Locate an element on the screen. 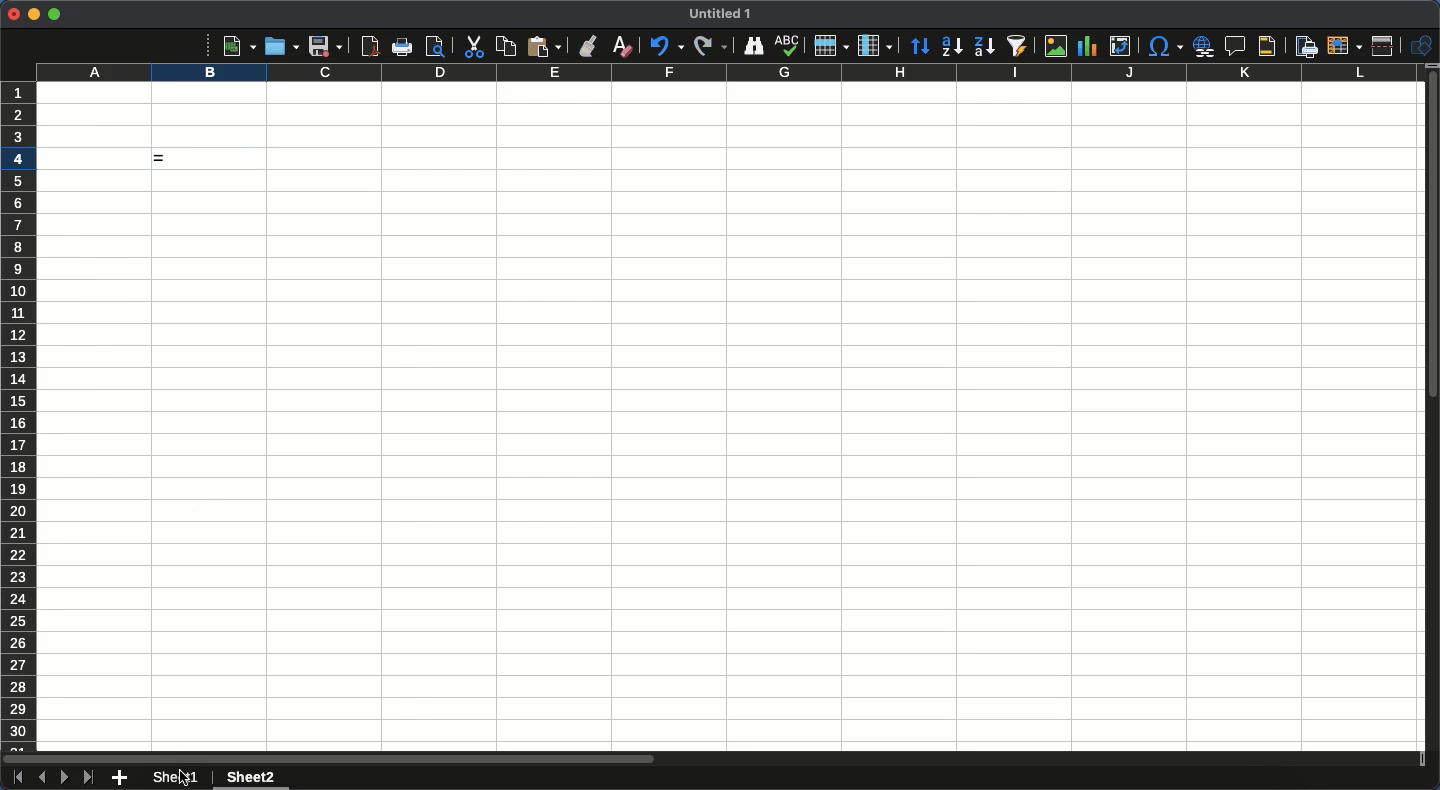 The height and width of the screenshot is (790, 1440). Print preview is located at coordinates (435, 46).